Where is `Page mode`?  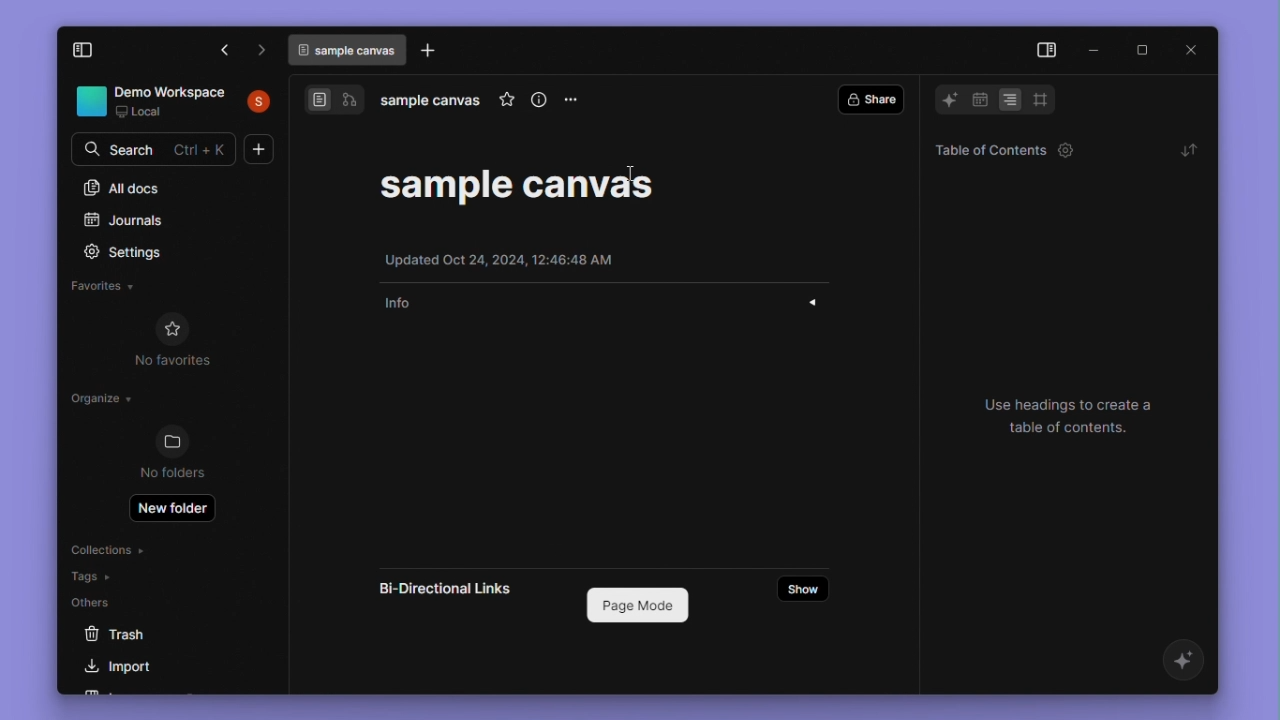 Page mode is located at coordinates (635, 604).